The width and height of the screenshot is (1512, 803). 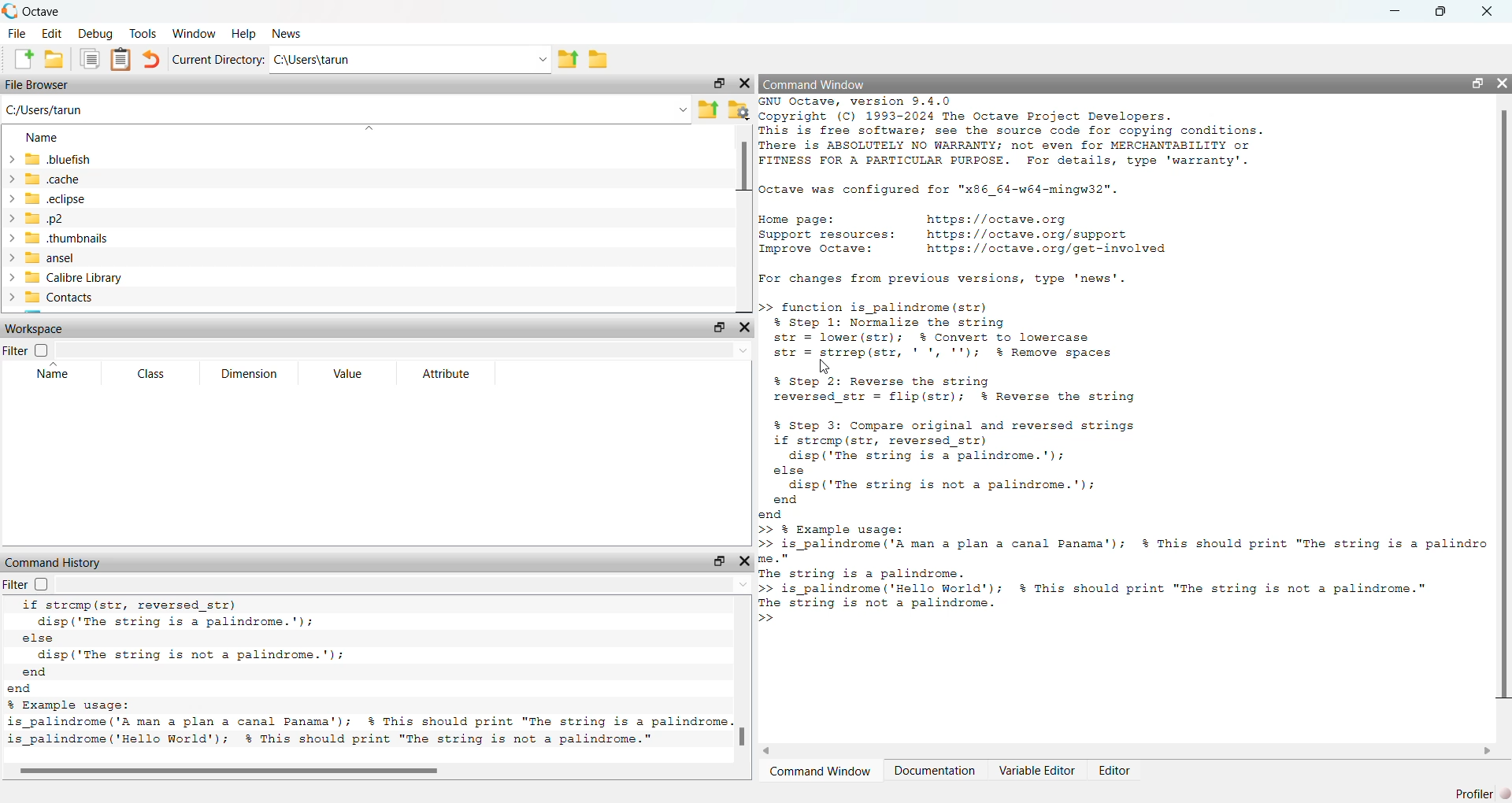 What do you see at coordinates (128, 301) in the screenshot?
I see `contacts` at bounding box center [128, 301].